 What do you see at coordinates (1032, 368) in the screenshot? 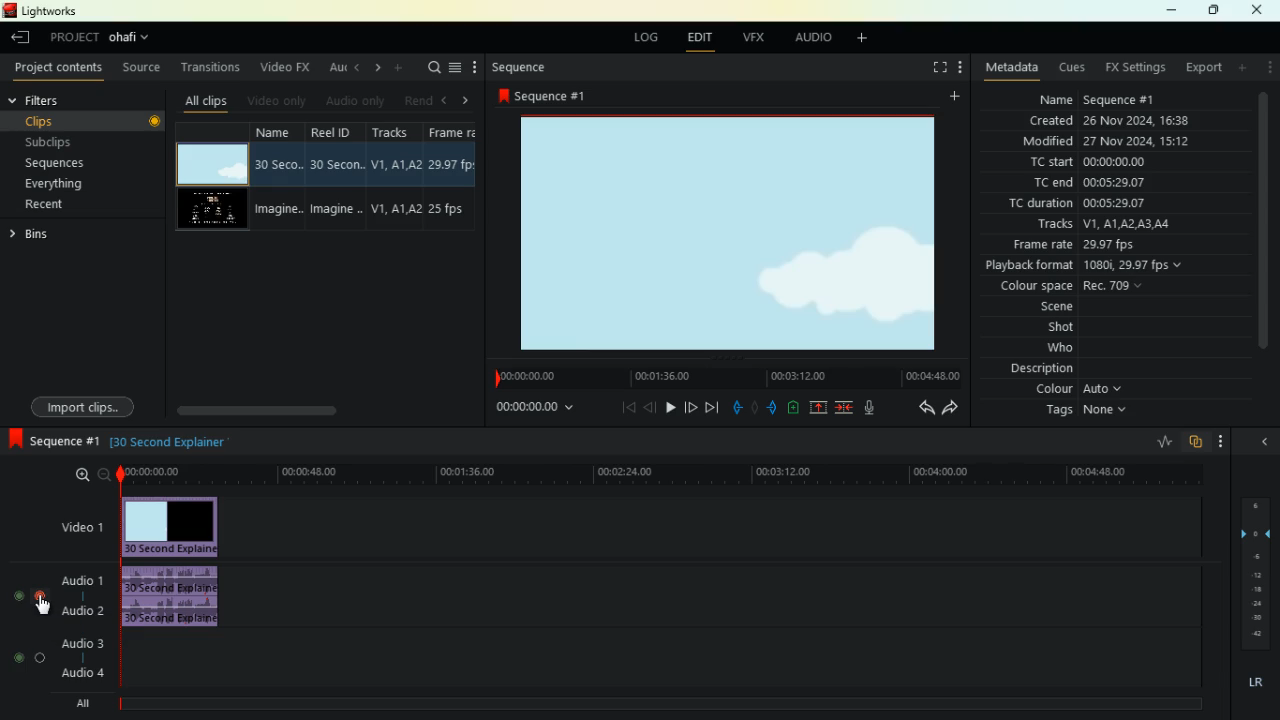
I see `description` at bounding box center [1032, 368].